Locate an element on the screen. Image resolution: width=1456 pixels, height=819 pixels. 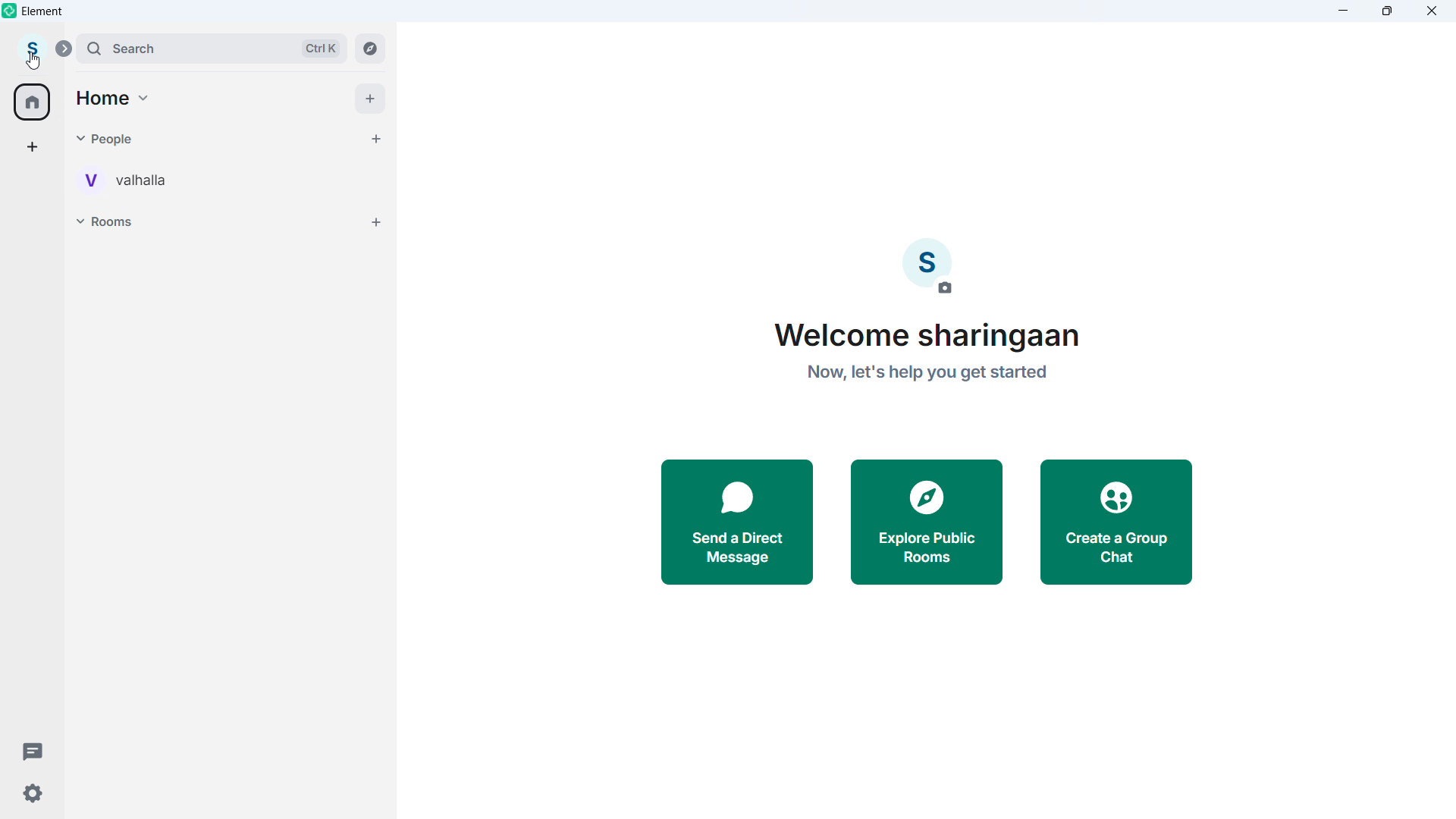
Personal room  is located at coordinates (125, 180).